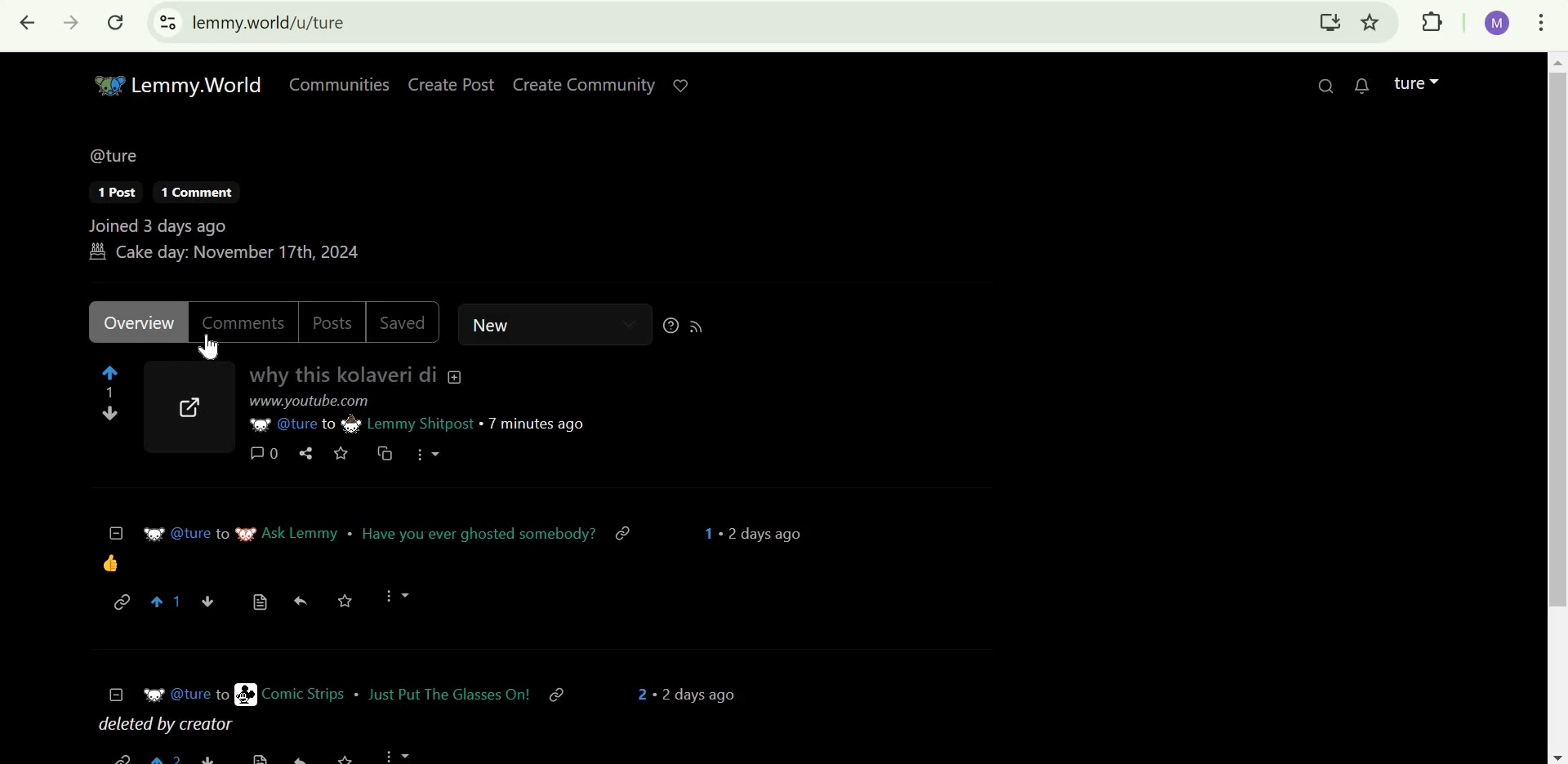 This screenshot has height=764, width=1568. I want to click on comments, so click(244, 320).